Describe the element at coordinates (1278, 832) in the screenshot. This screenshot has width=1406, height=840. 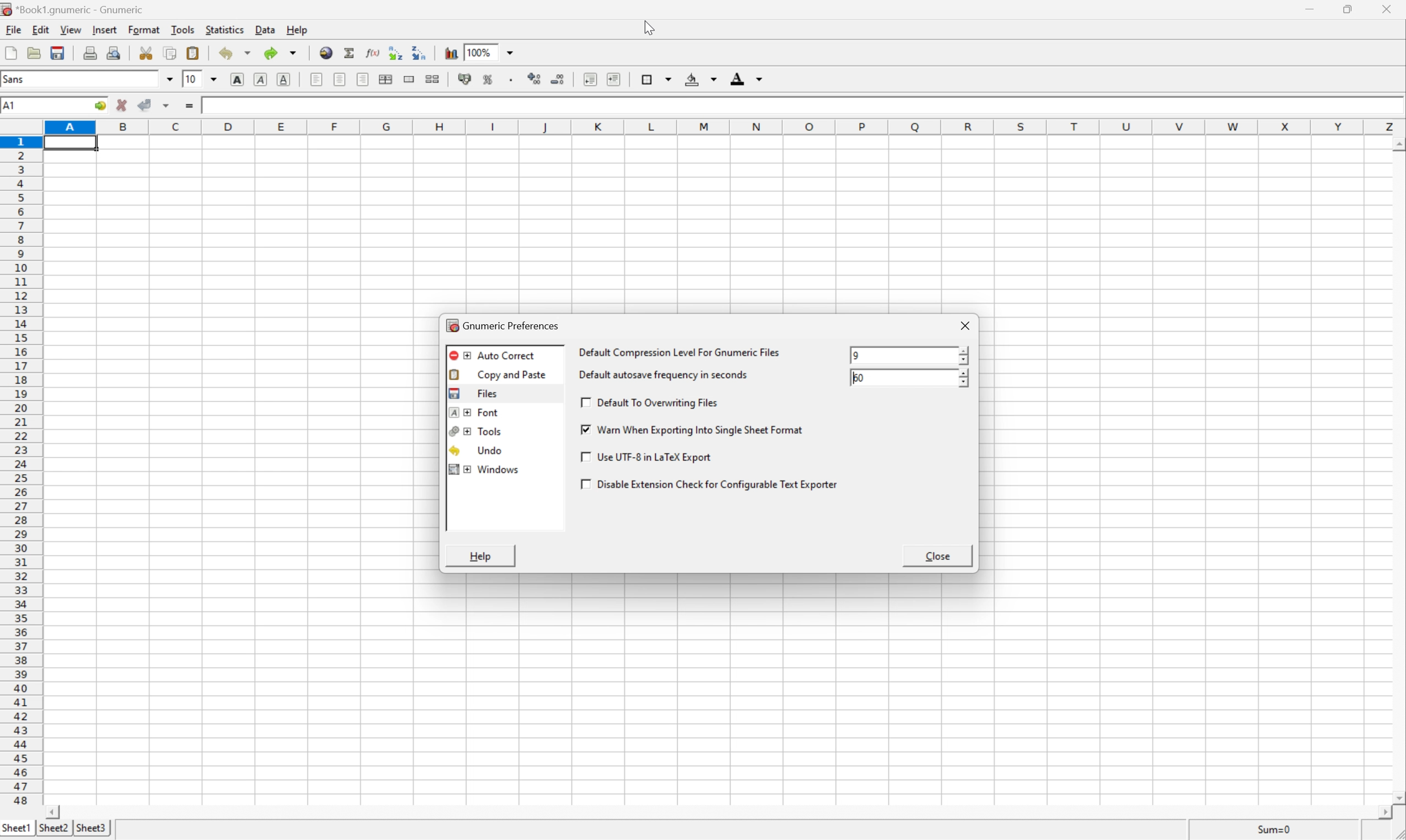
I see `sum=0` at that location.